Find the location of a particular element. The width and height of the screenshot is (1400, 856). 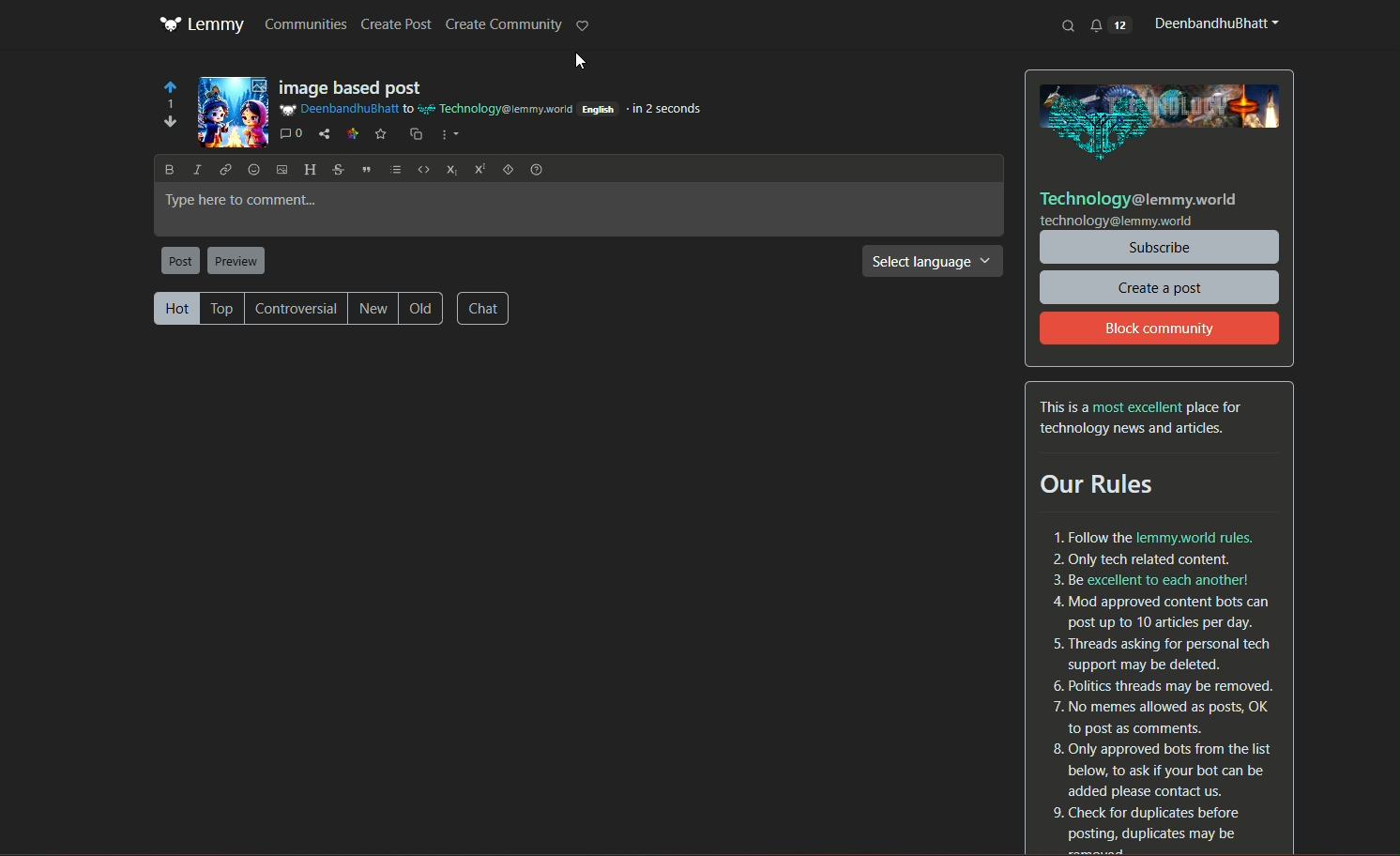

copy is located at coordinates (413, 132).